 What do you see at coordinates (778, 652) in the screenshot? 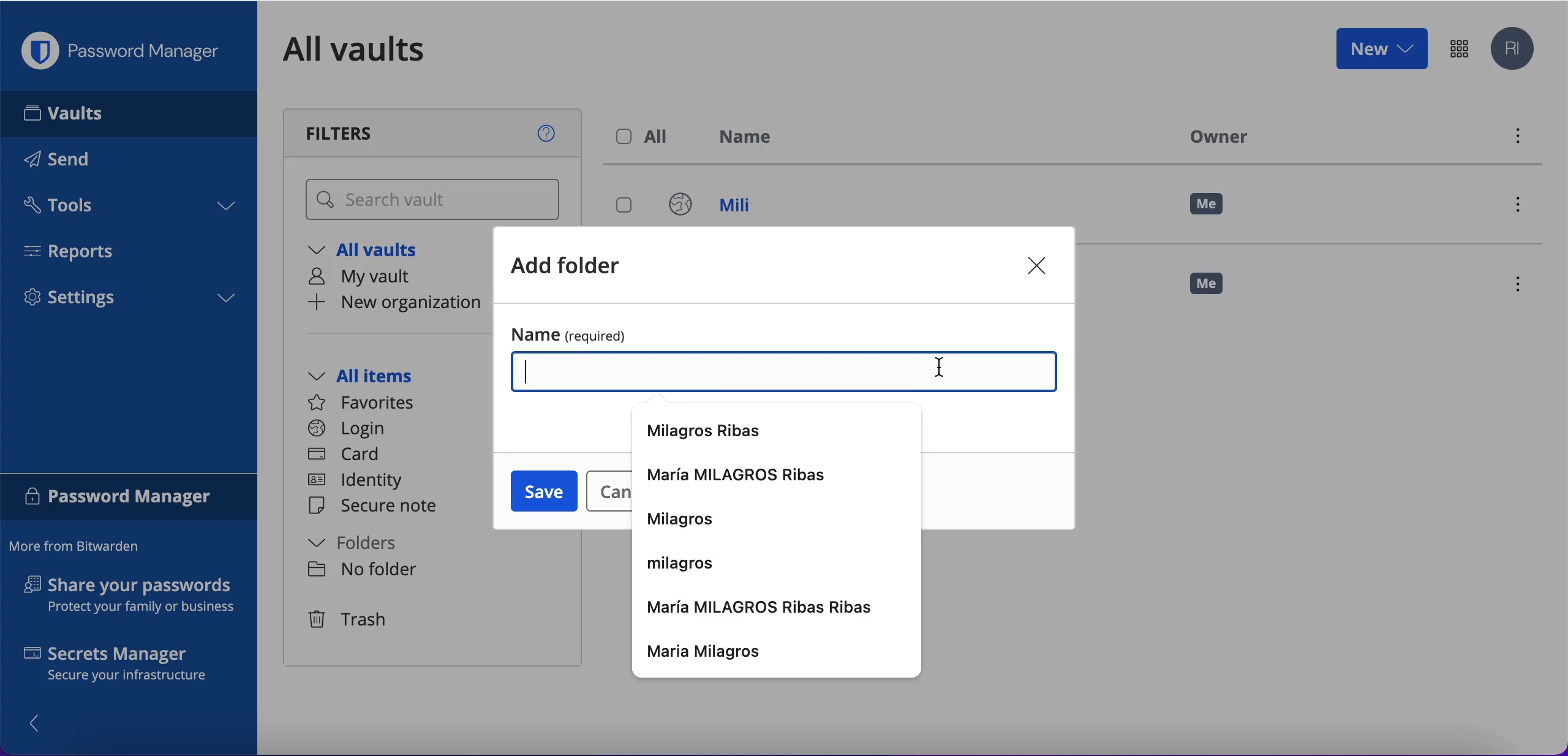
I see `maria milagros` at bounding box center [778, 652].